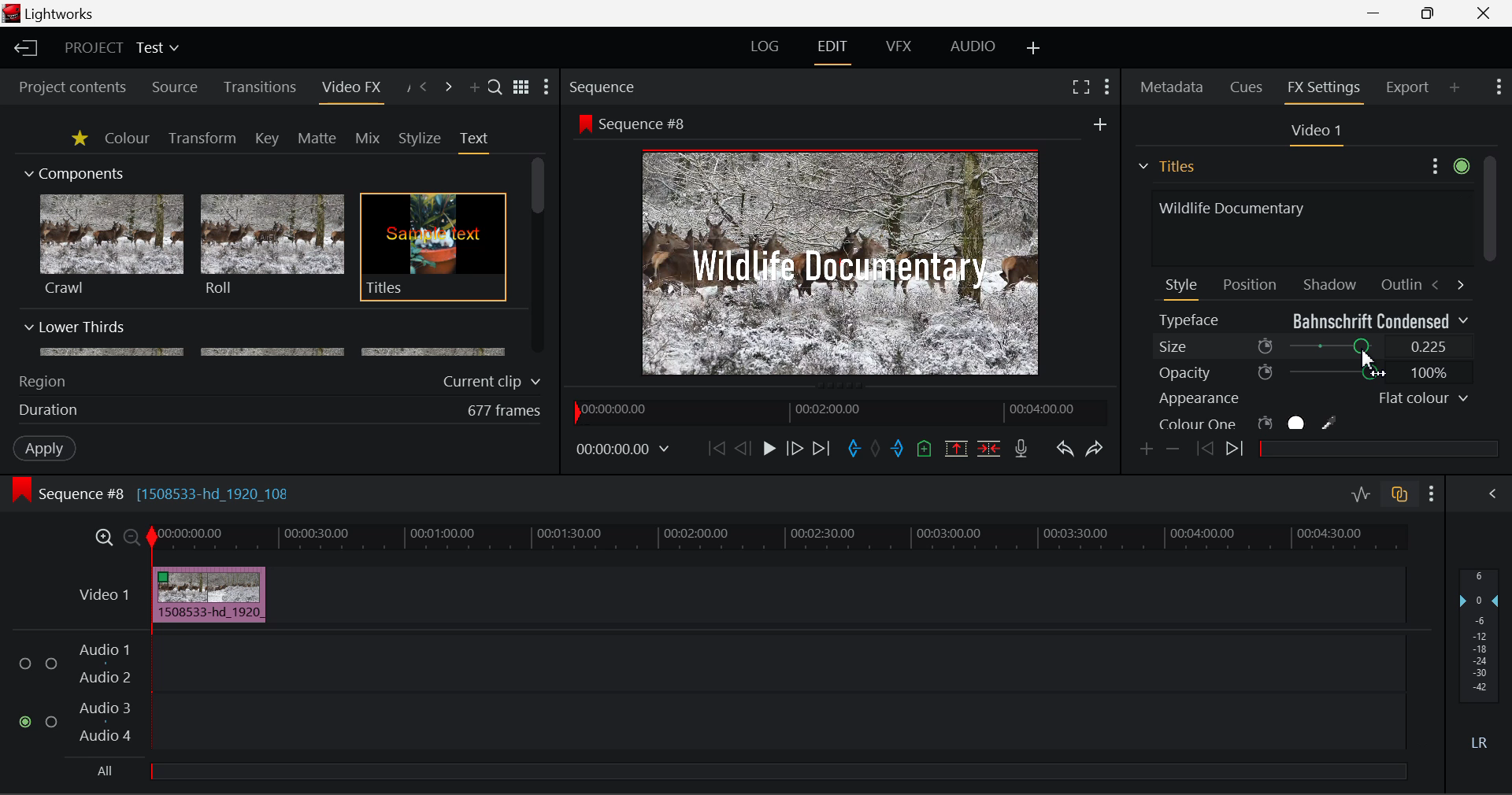 Image resolution: width=1512 pixels, height=795 pixels. What do you see at coordinates (539, 257) in the screenshot?
I see `Scroll Bar` at bounding box center [539, 257].